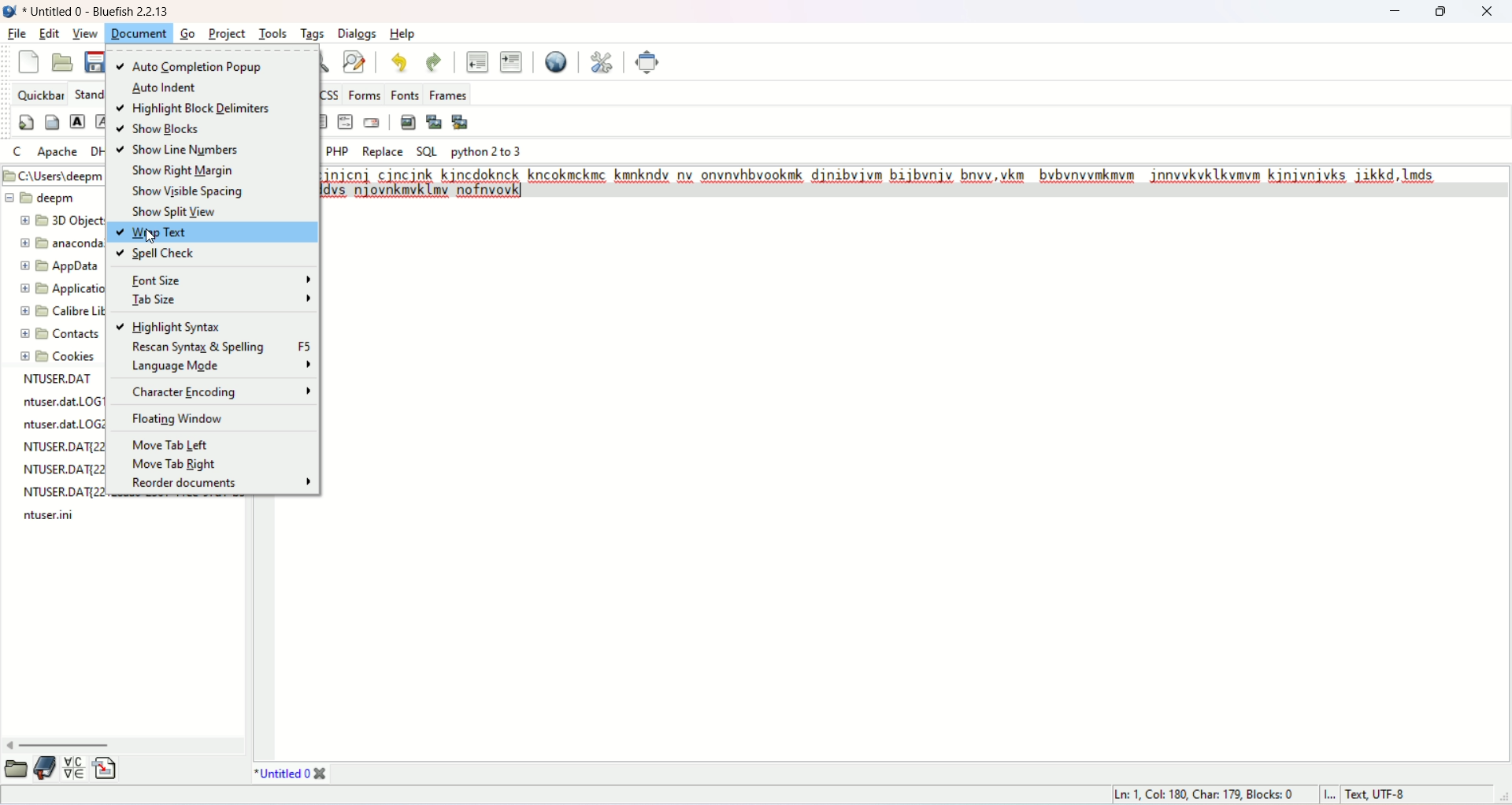 The image size is (1512, 805). What do you see at coordinates (190, 190) in the screenshot?
I see `show visible spacing` at bounding box center [190, 190].